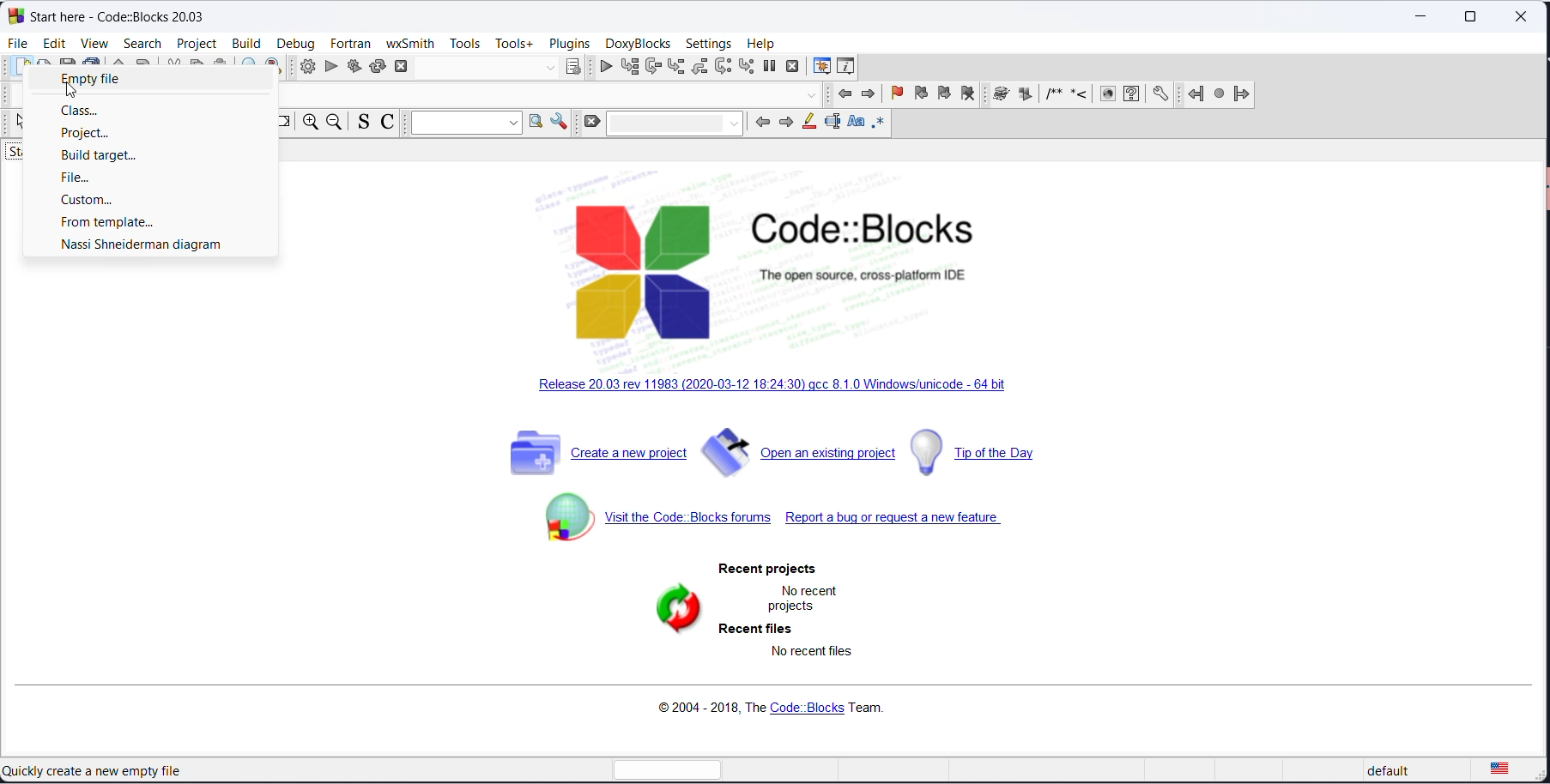  What do you see at coordinates (747, 69) in the screenshot?
I see `step into instruction` at bounding box center [747, 69].